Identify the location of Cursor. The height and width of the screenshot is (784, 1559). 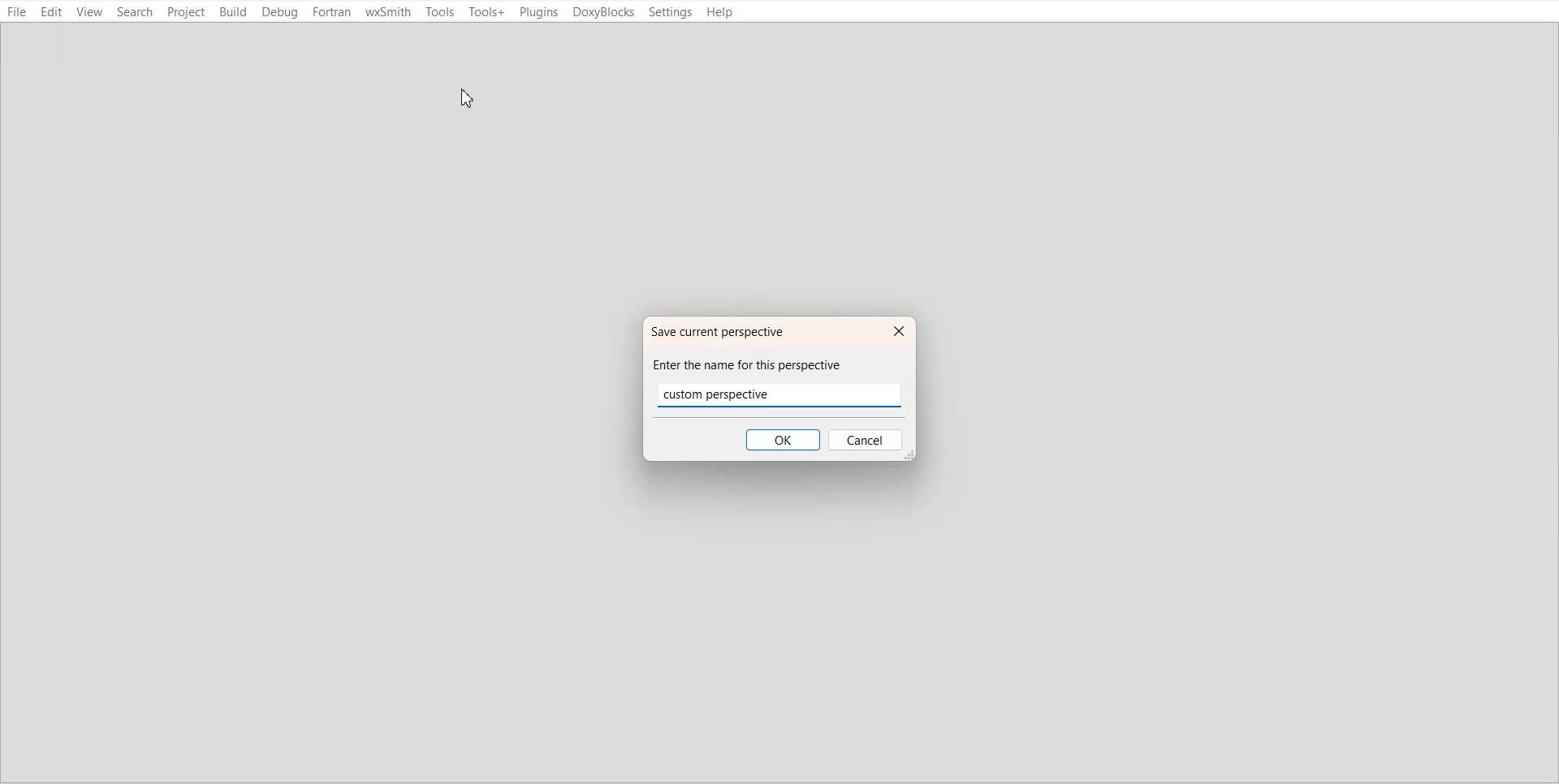
(468, 100).